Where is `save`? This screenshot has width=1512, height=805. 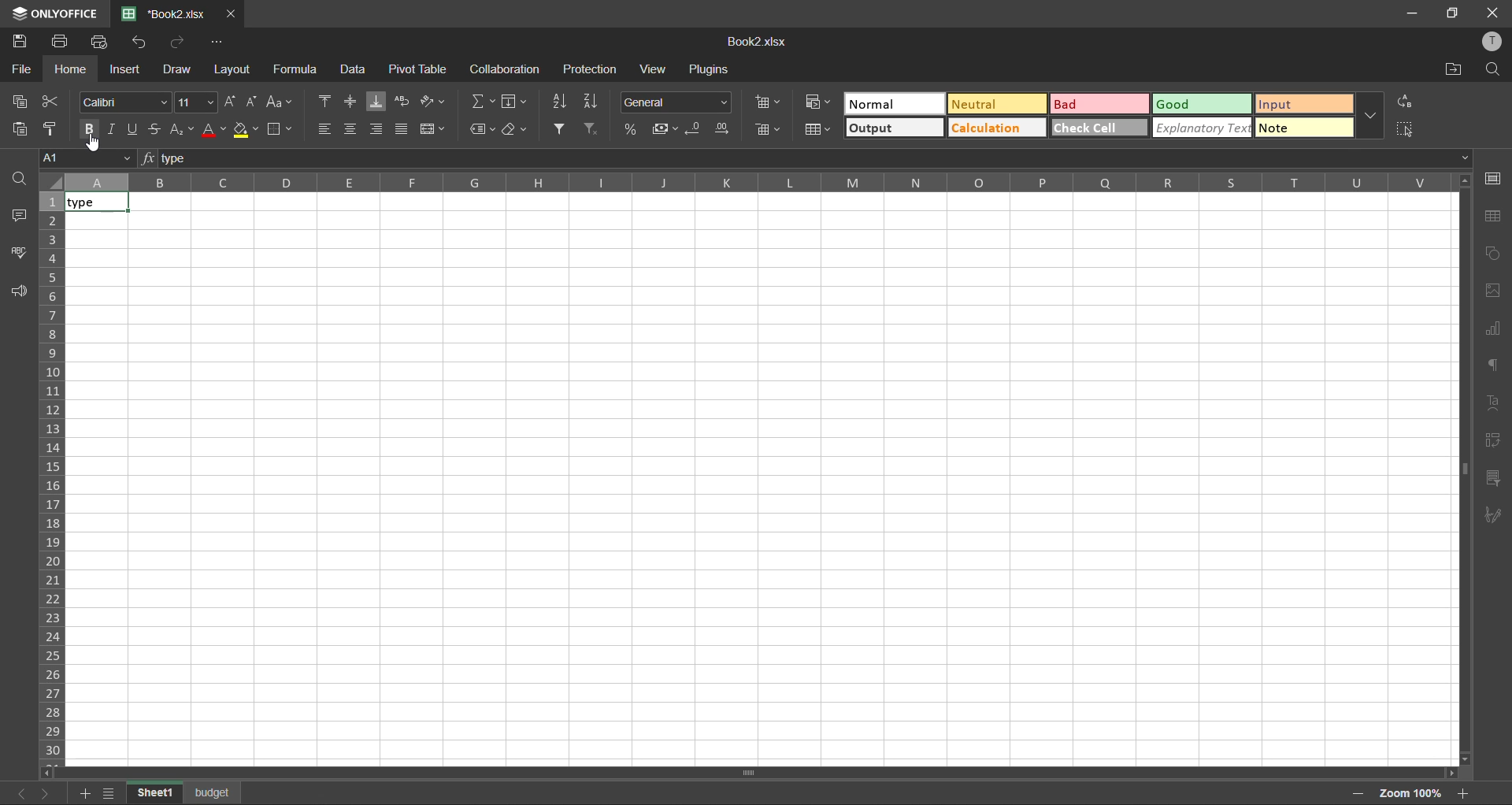 save is located at coordinates (22, 40).